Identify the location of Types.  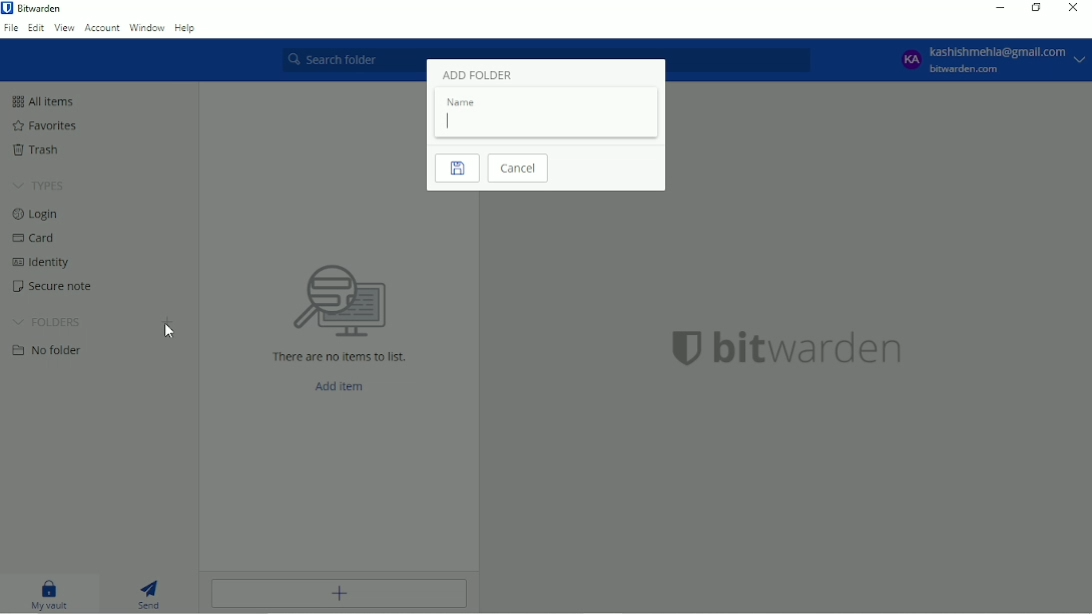
(41, 186).